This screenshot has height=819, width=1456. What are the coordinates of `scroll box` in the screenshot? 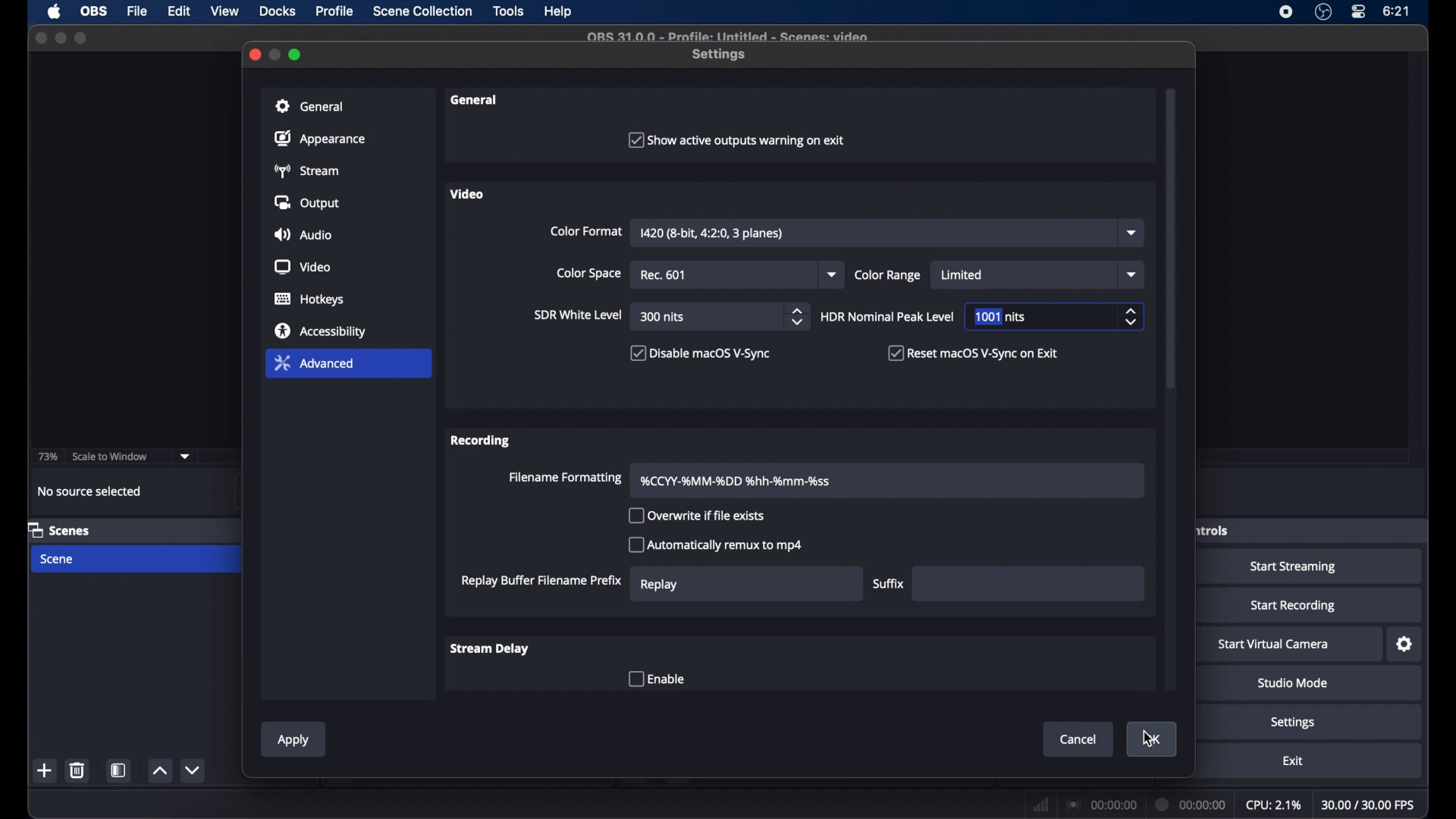 It's located at (1171, 240).